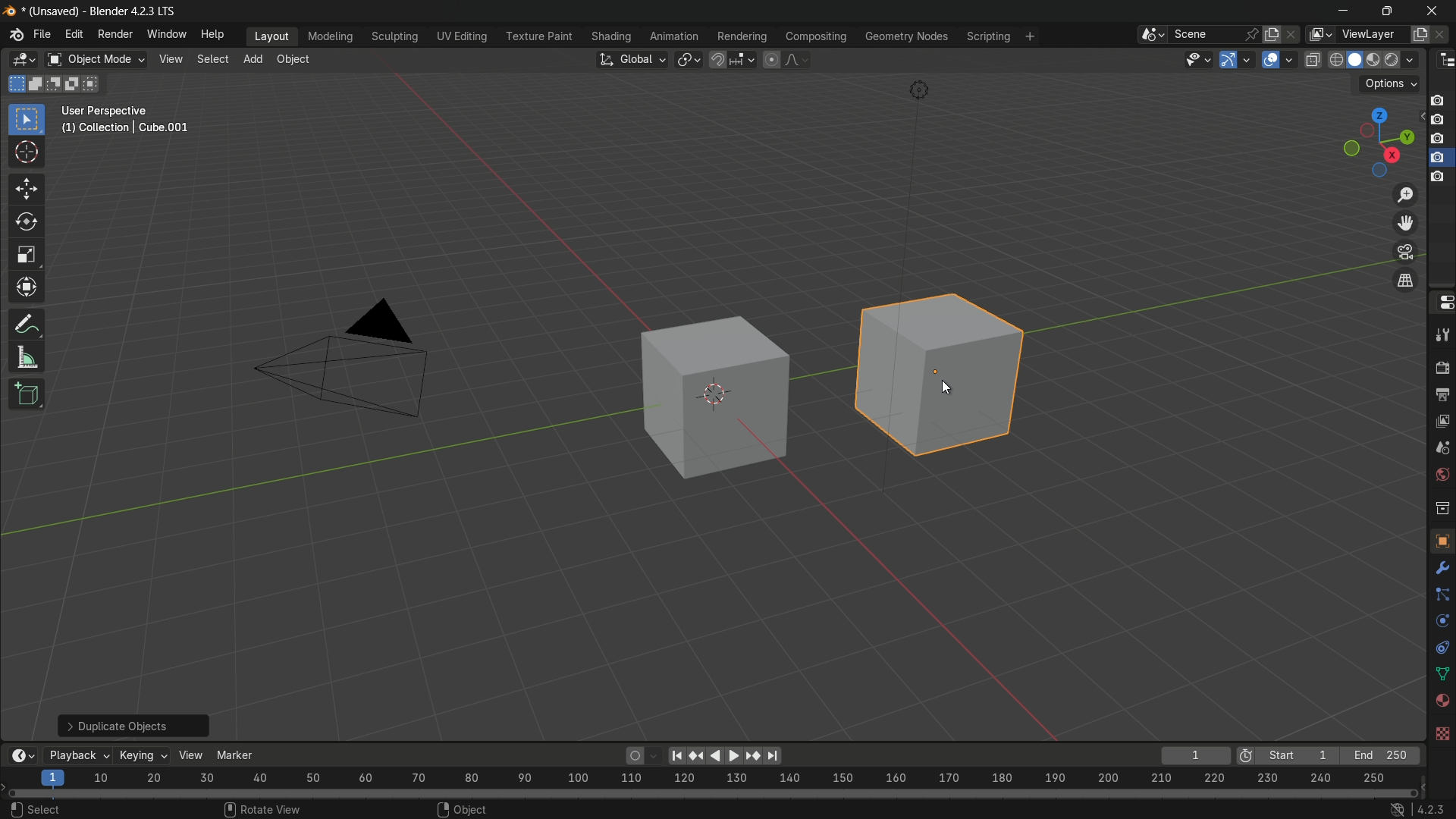 The image size is (1456, 819). I want to click on Precision Mode, so click(1127, 810).